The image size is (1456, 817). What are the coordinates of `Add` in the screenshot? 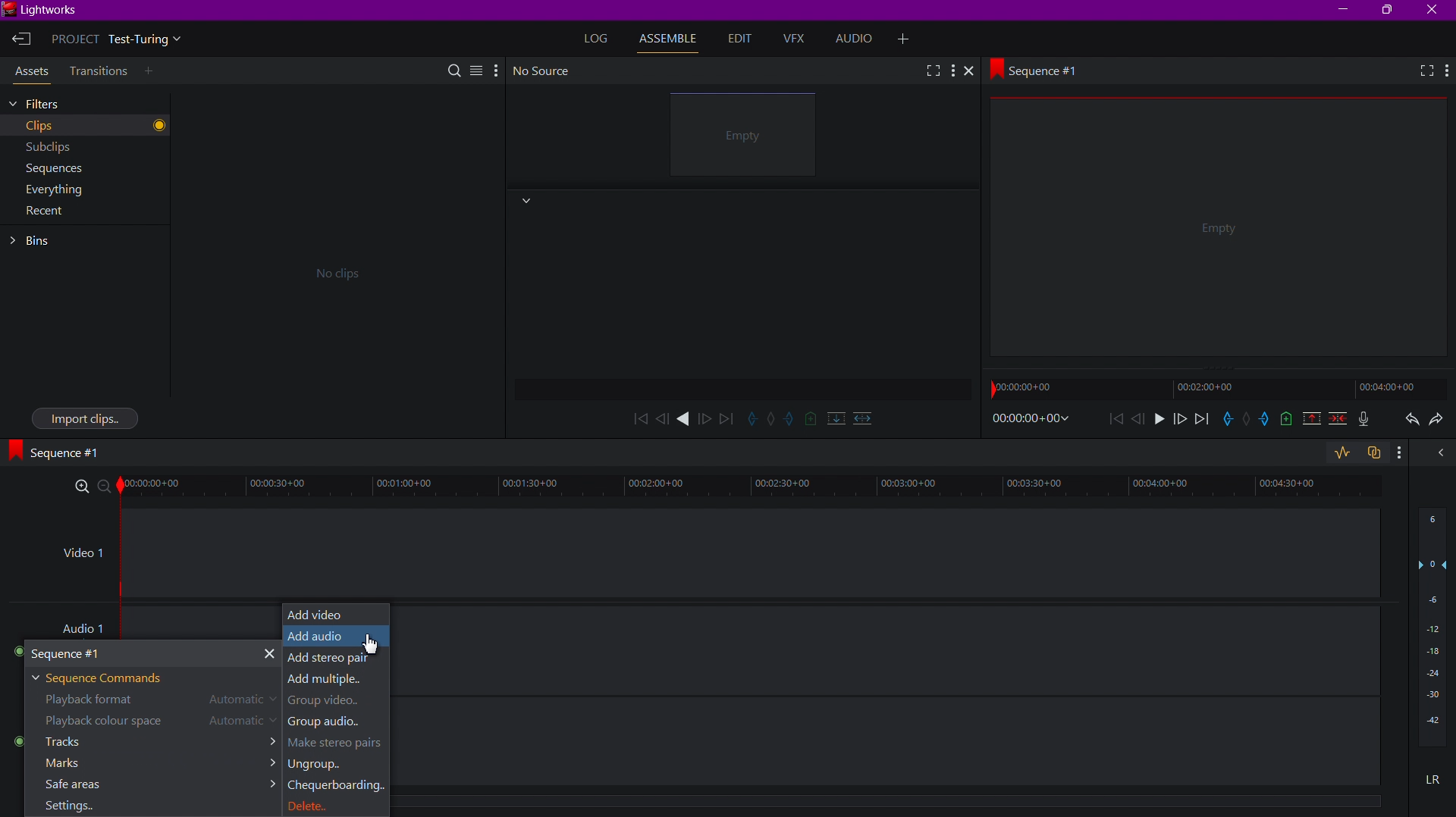 It's located at (152, 72).